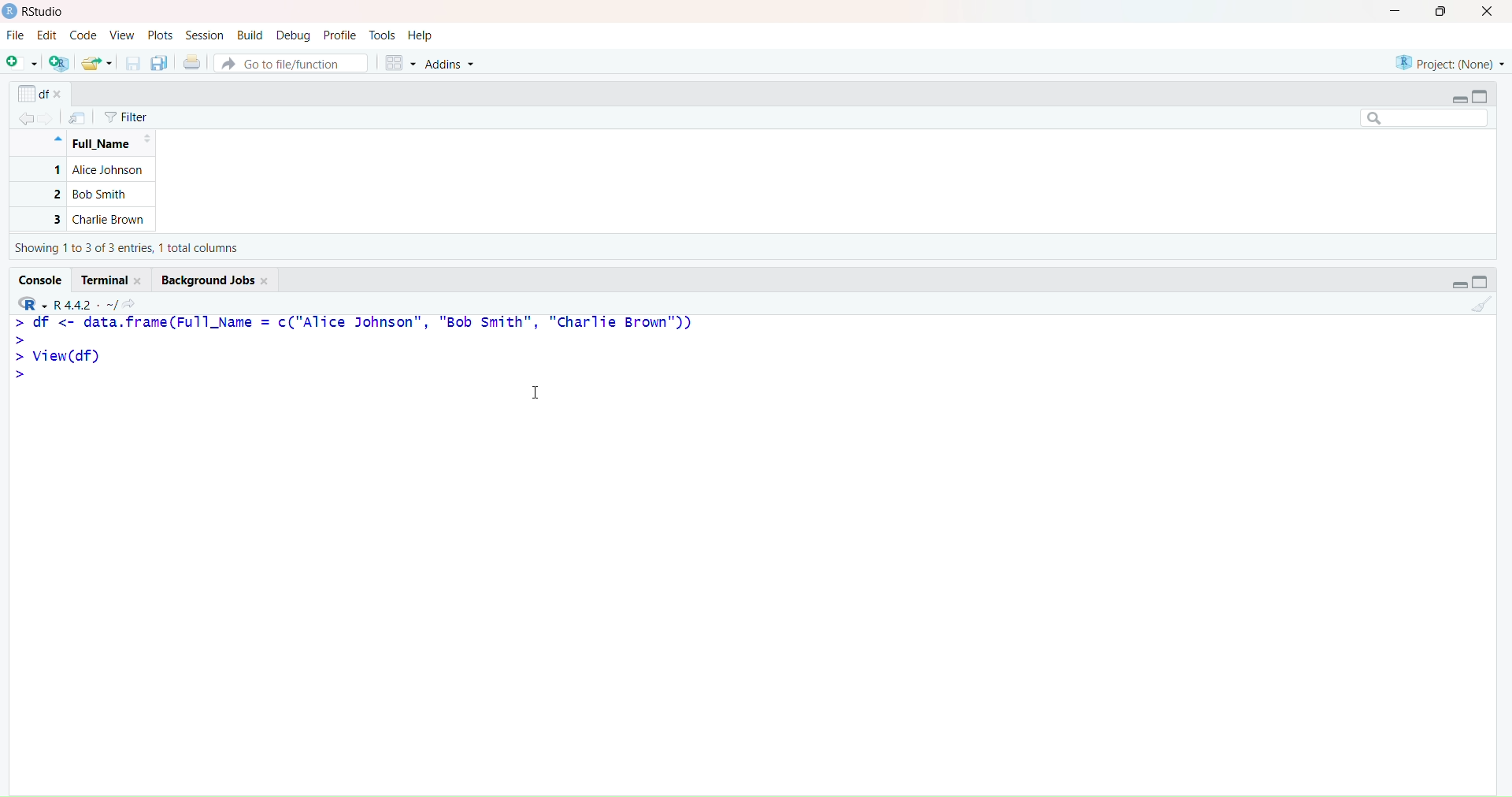 Image resolution: width=1512 pixels, height=797 pixels. Describe the element at coordinates (98, 63) in the screenshot. I see `Open an existing file (Ctrl + O)` at that location.